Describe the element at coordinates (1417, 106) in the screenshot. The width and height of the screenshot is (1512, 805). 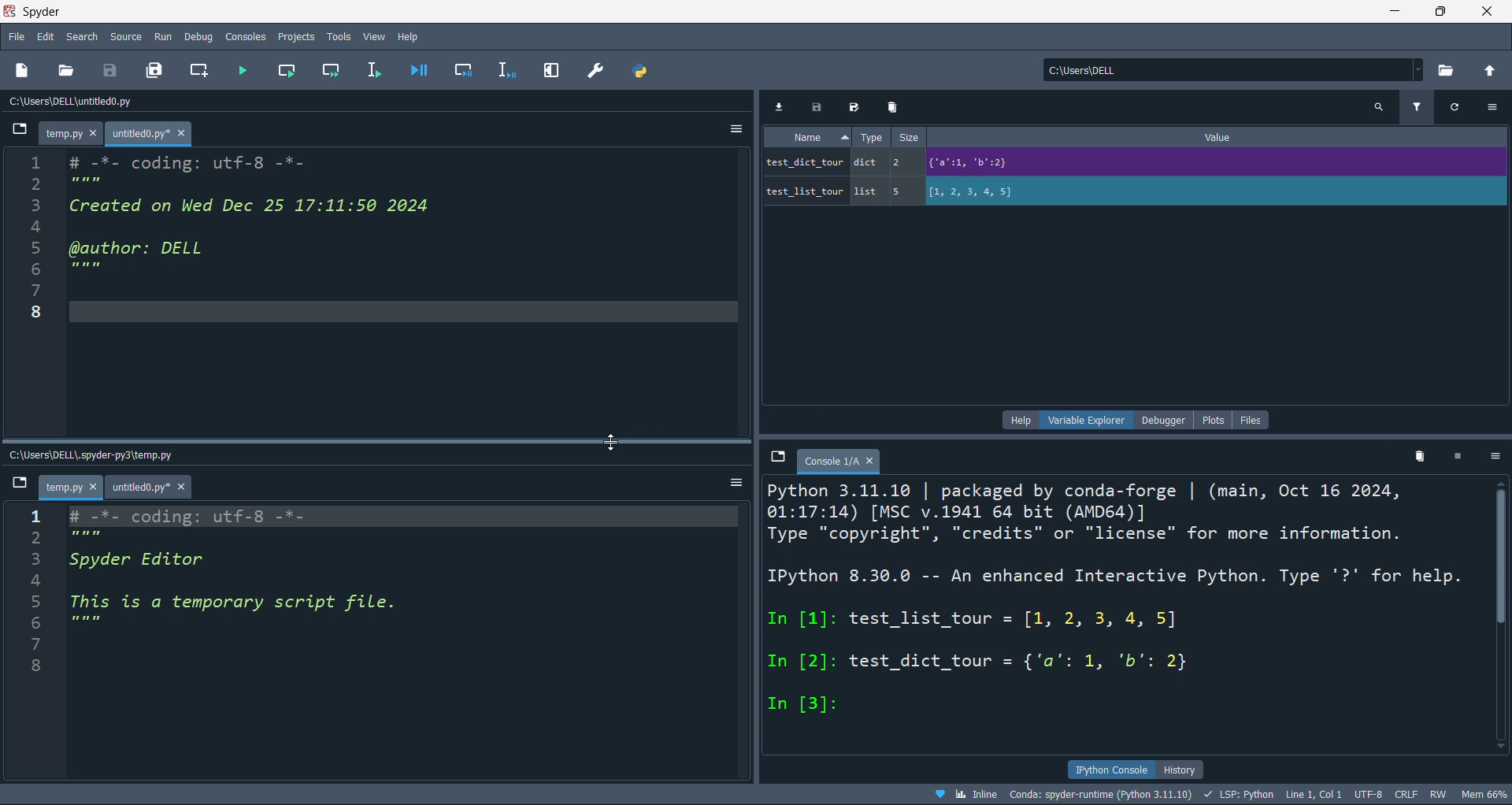
I see `filter variables` at that location.